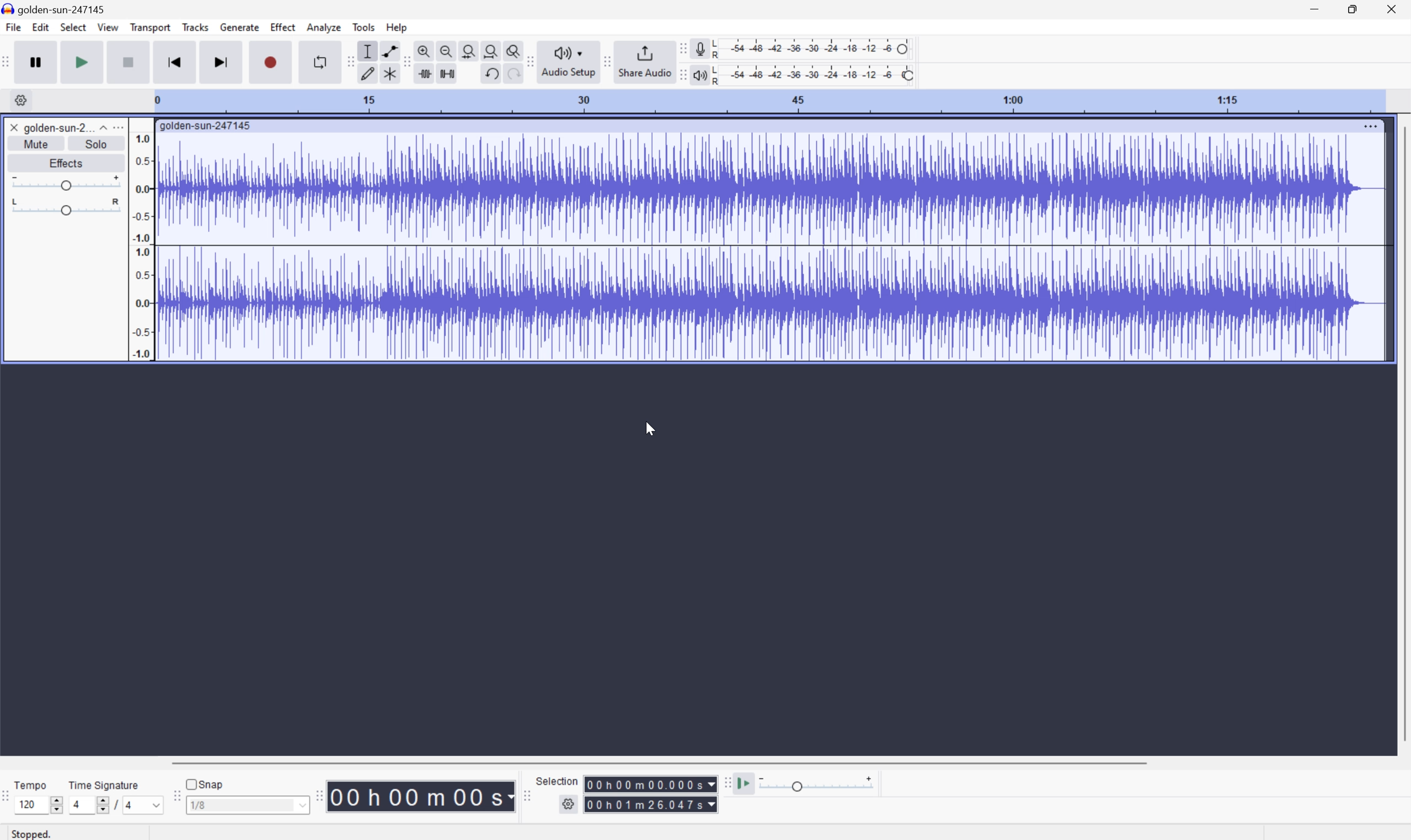  What do you see at coordinates (1314, 8) in the screenshot?
I see `Minimize` at bounding box center [1314, 8].